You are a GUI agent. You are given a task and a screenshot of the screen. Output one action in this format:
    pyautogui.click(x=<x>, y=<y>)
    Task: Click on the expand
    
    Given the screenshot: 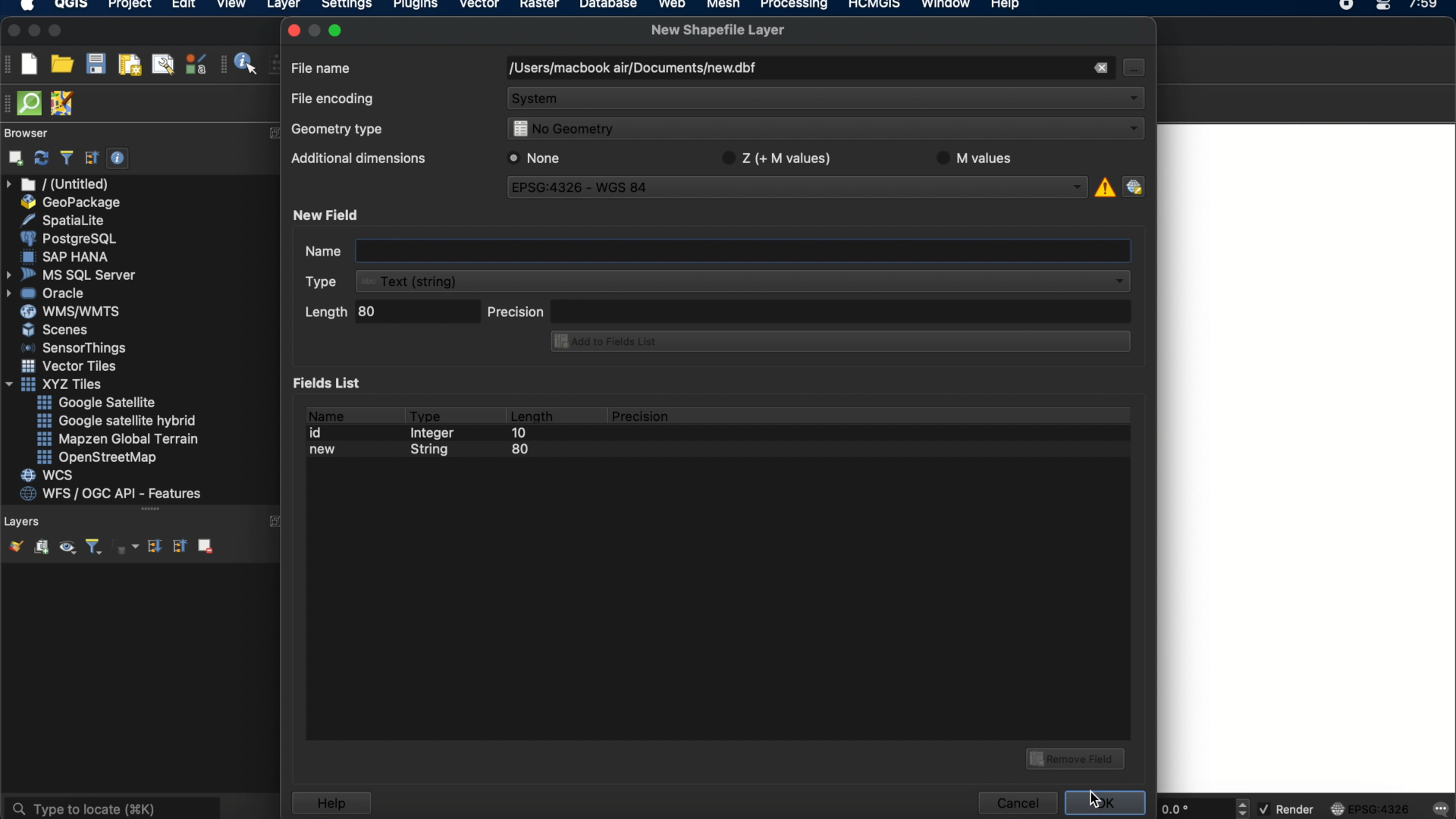 What is the action you would take?
    pyautogui.click(x=273, y=133)
    